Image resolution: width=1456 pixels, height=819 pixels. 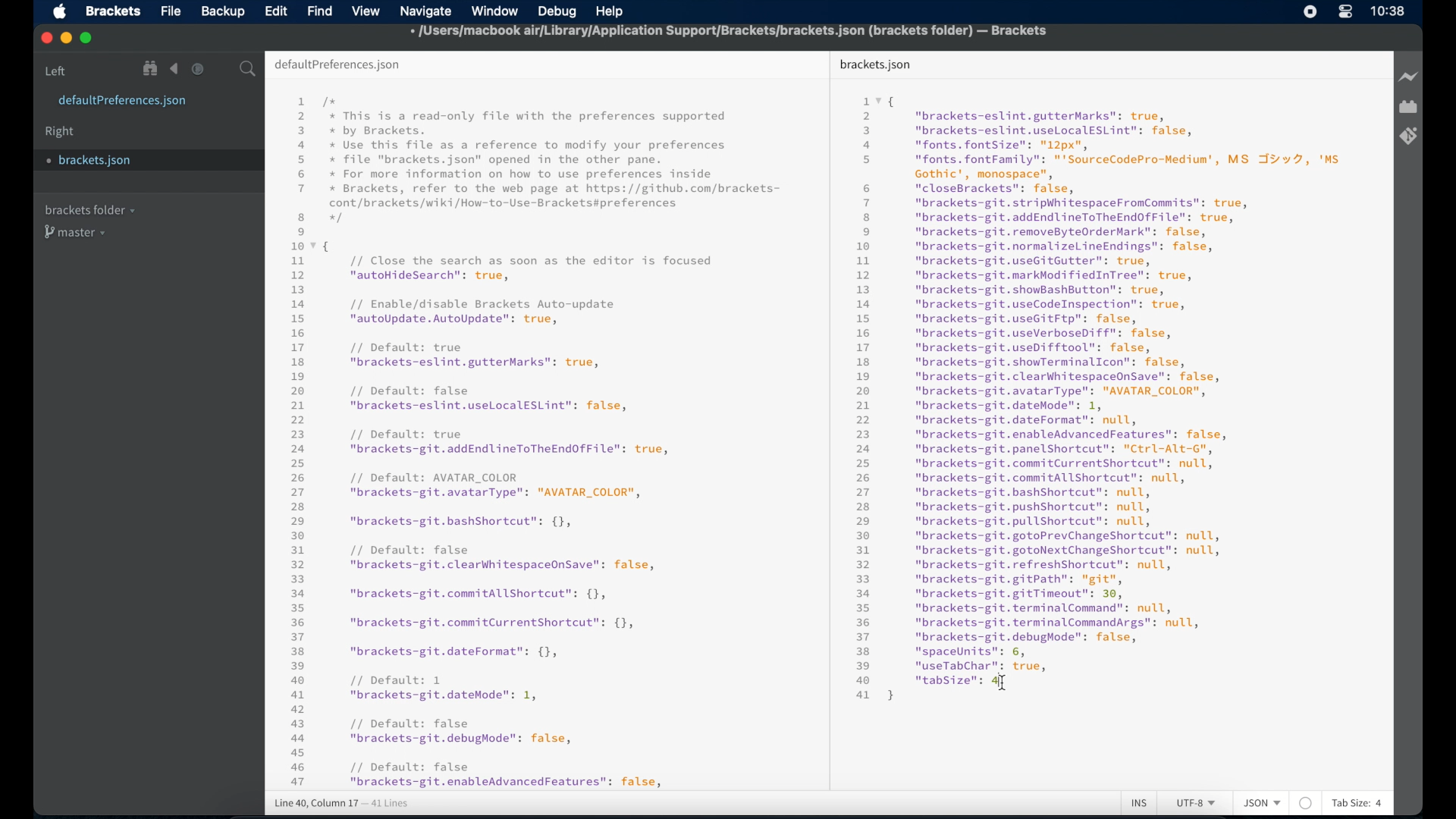 I want to click on screen recorder icon, so click(x=1310, y=11).